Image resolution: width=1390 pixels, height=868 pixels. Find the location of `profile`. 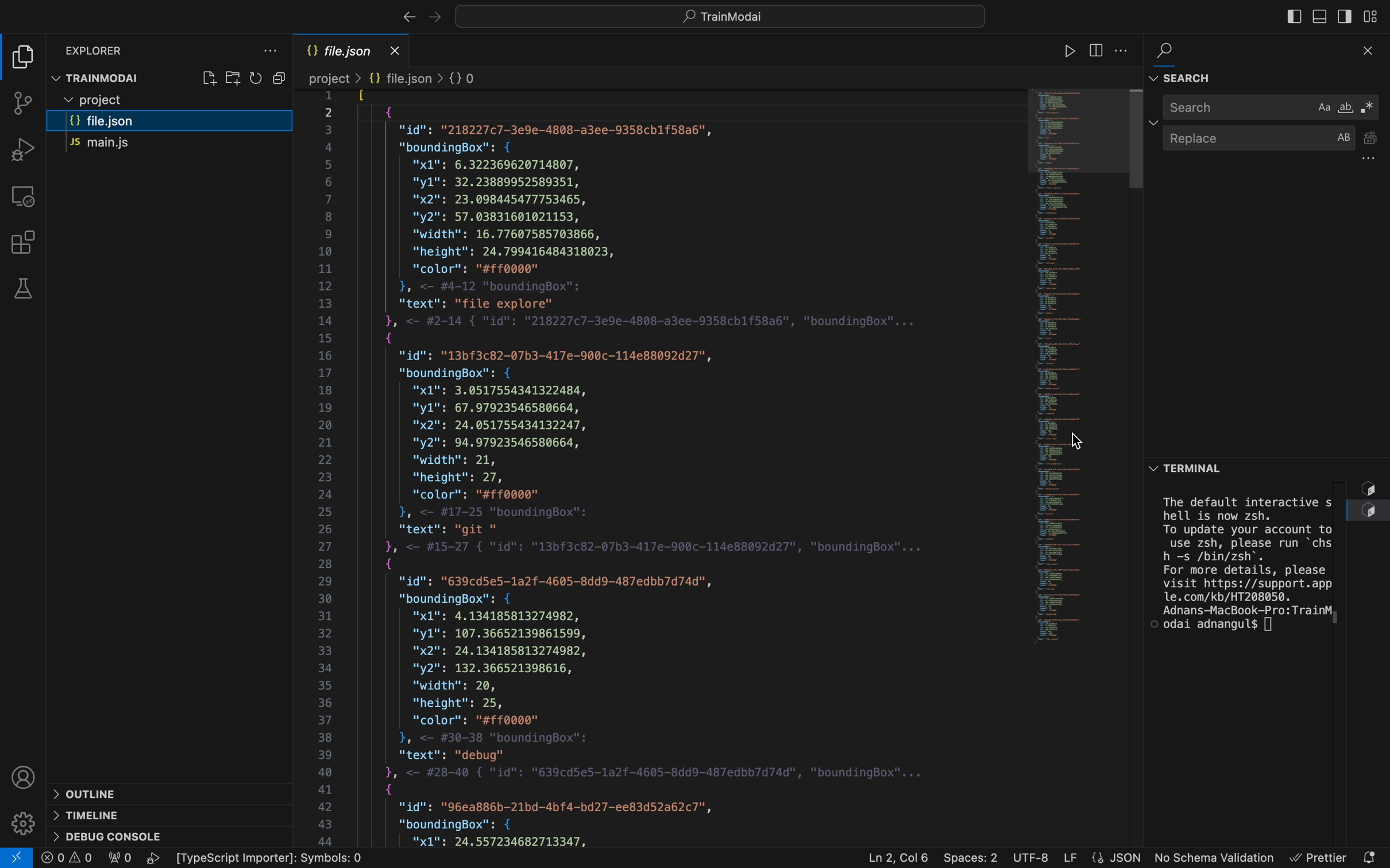

profile is located at coordinates (24, 777).